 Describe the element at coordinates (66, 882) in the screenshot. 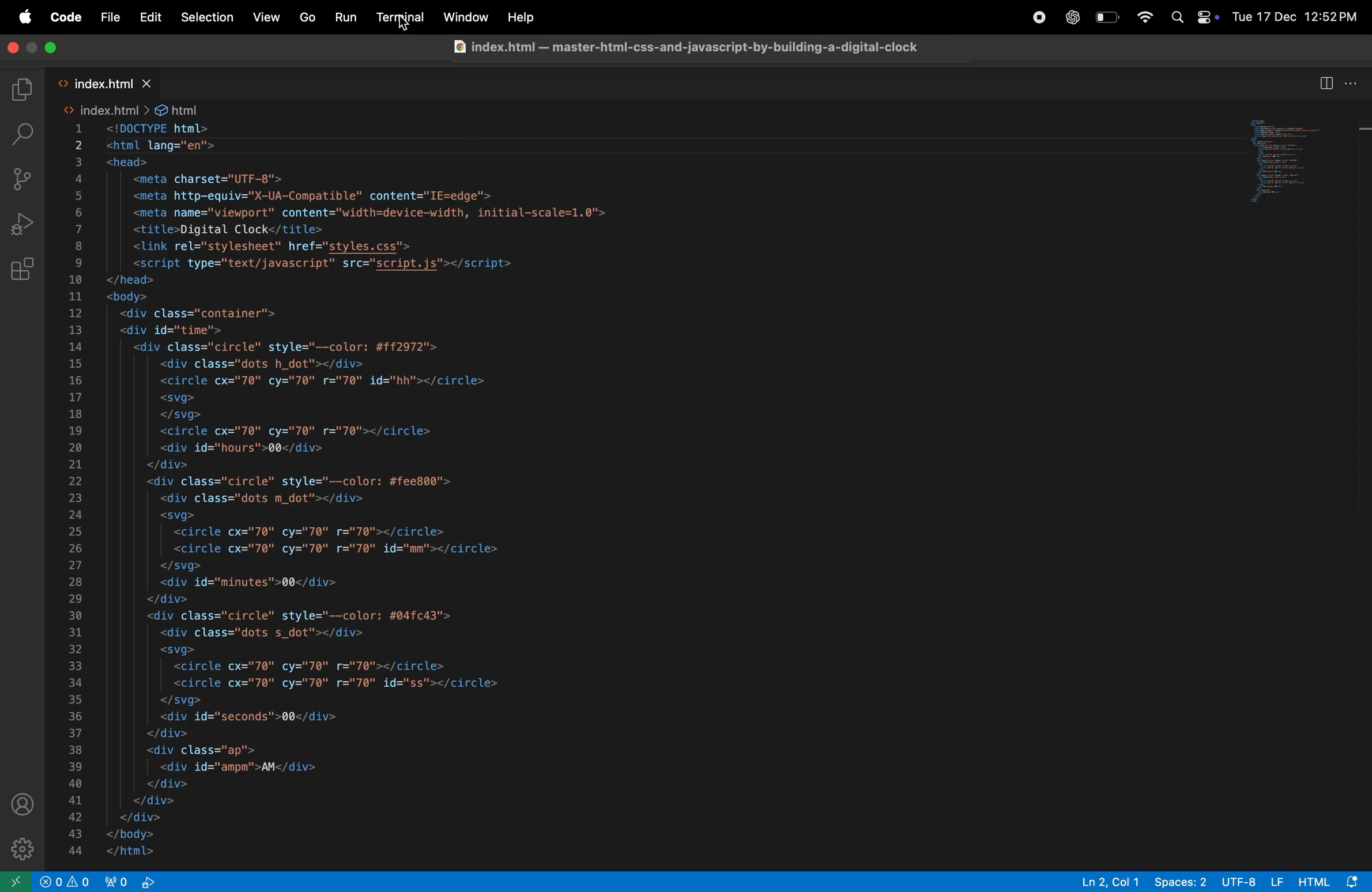

I see `no problems` at that location.